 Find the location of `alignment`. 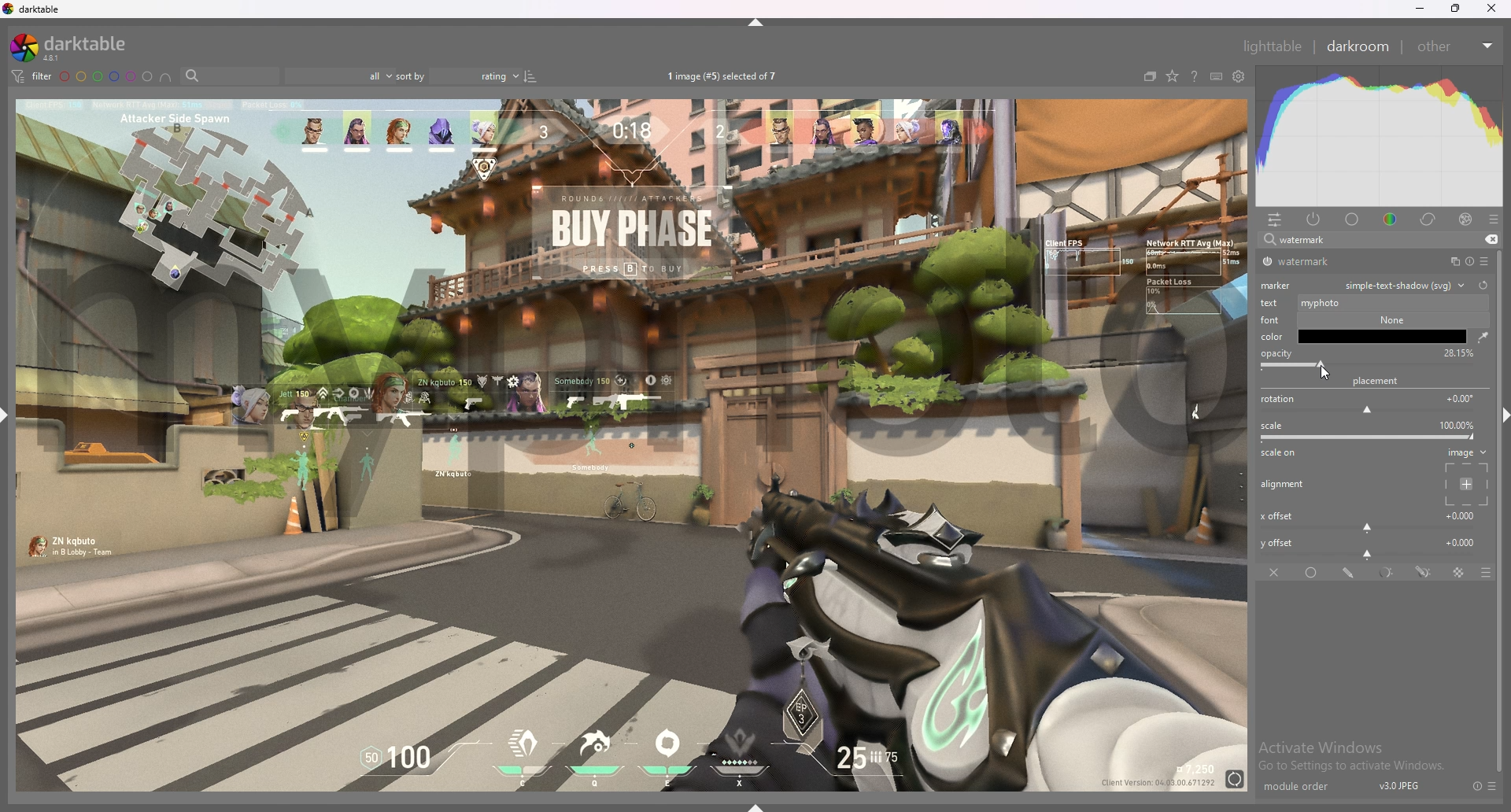

alignment is located at coordinates (1285, 485).